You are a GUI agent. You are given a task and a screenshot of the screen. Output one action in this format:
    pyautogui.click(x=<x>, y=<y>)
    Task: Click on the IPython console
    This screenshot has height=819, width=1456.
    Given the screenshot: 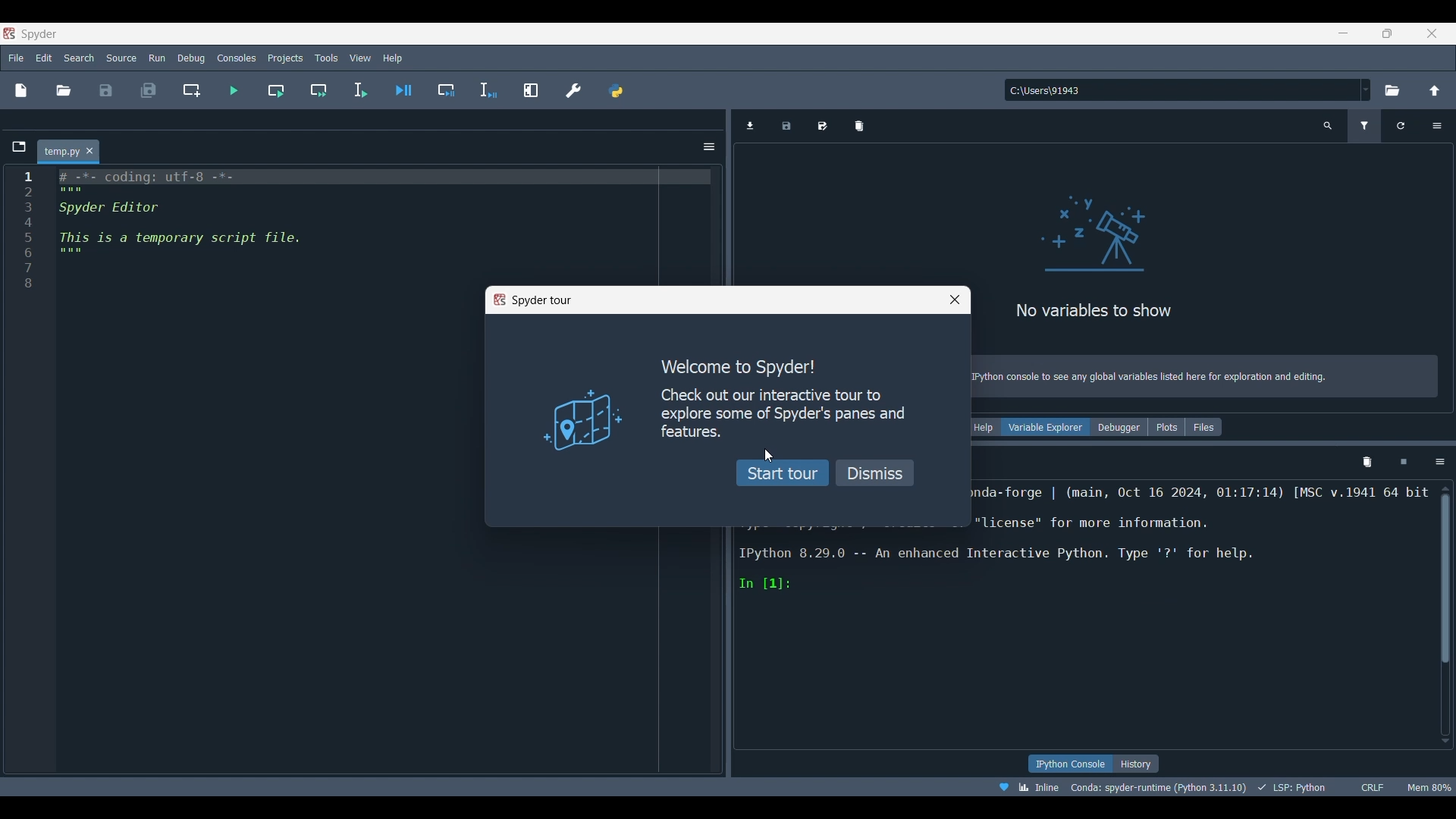 What is the action you would take?
    pyautogui.click(x=1068, y=764)
    